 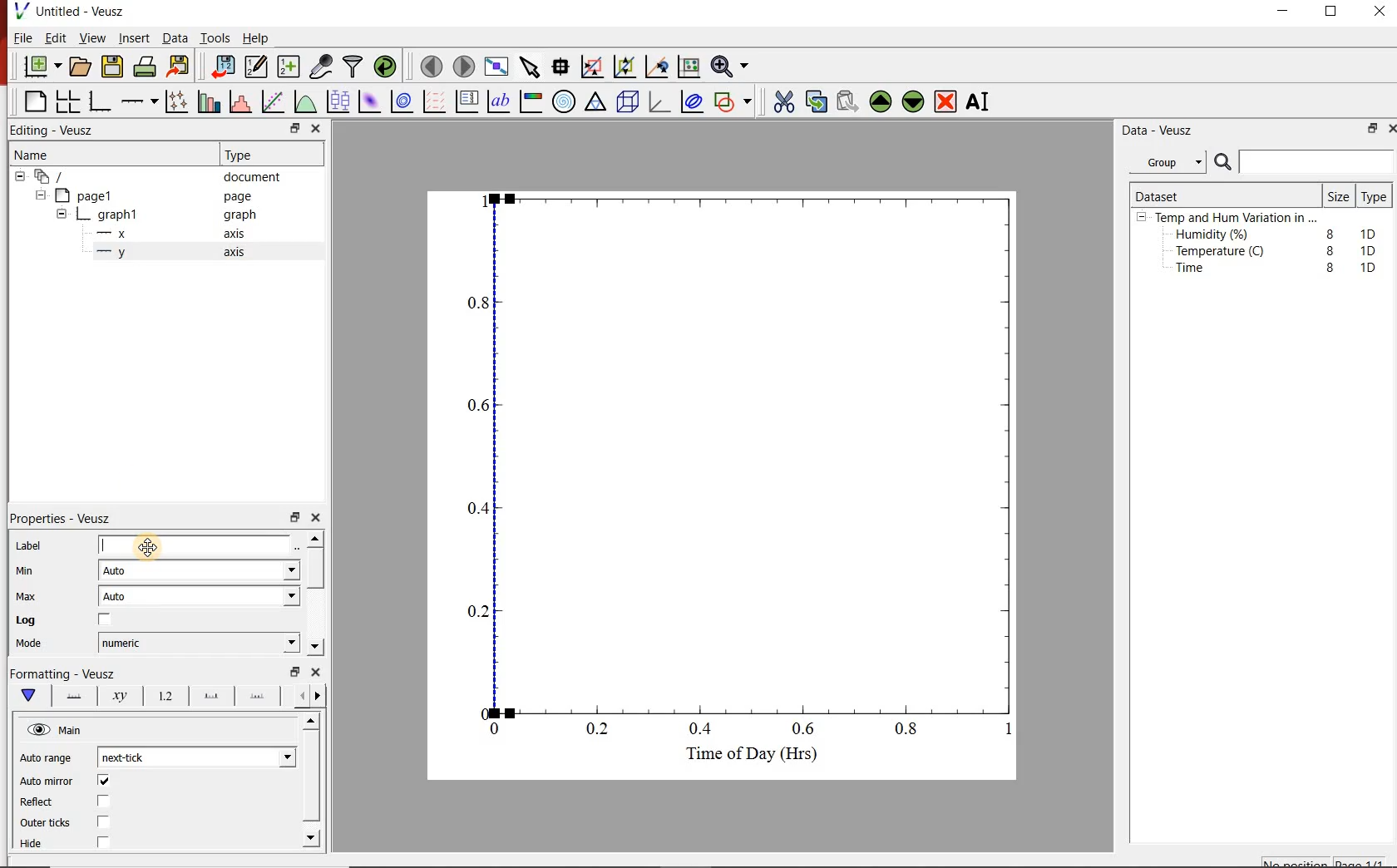 I want to click on 3d graph, so click(x=662, y=104).